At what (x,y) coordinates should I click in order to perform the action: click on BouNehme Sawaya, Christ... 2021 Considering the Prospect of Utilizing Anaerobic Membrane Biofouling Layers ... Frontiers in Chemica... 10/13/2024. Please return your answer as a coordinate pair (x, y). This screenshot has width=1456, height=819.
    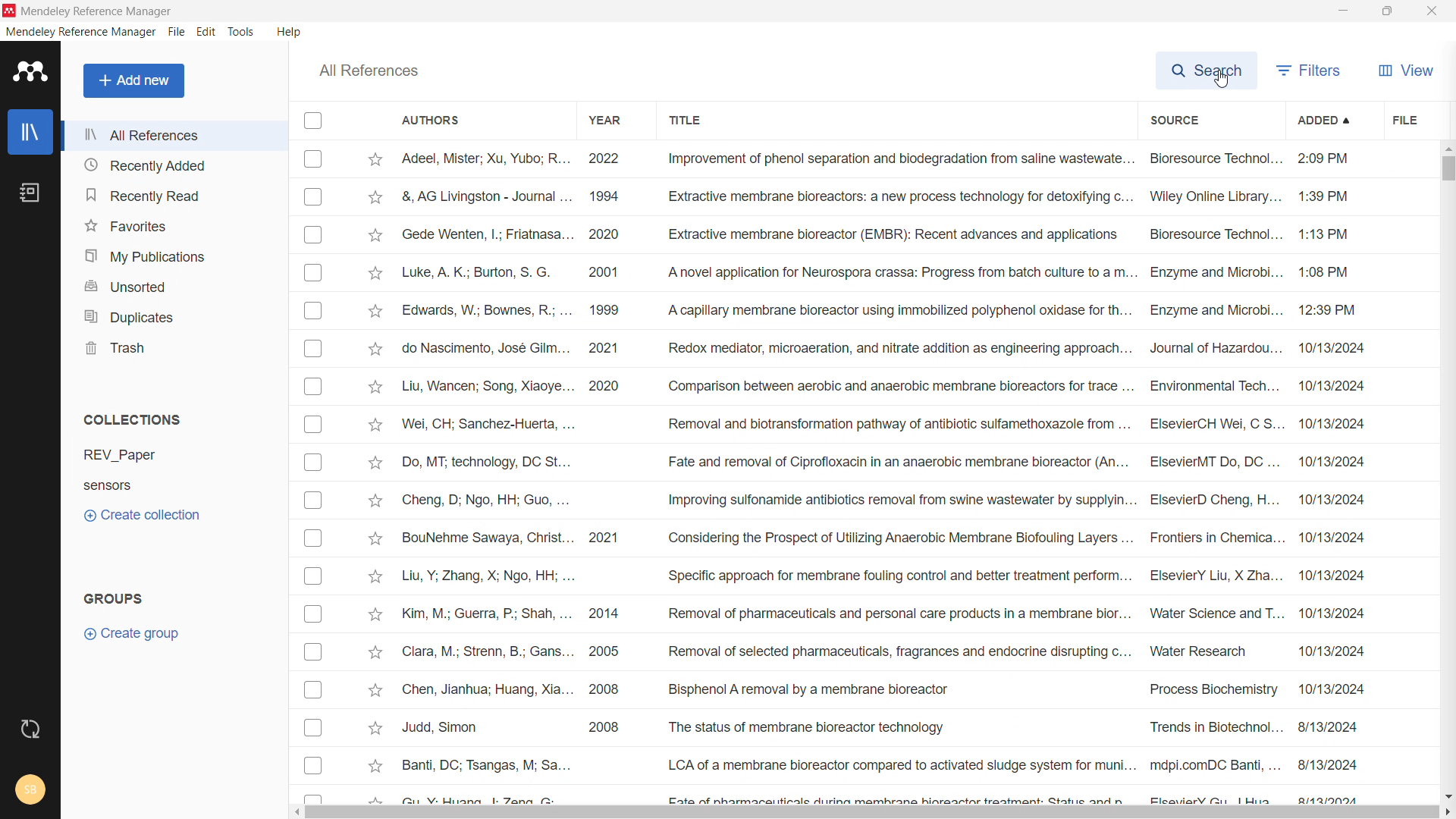
    Looking at the image, I should click on (883, 536).